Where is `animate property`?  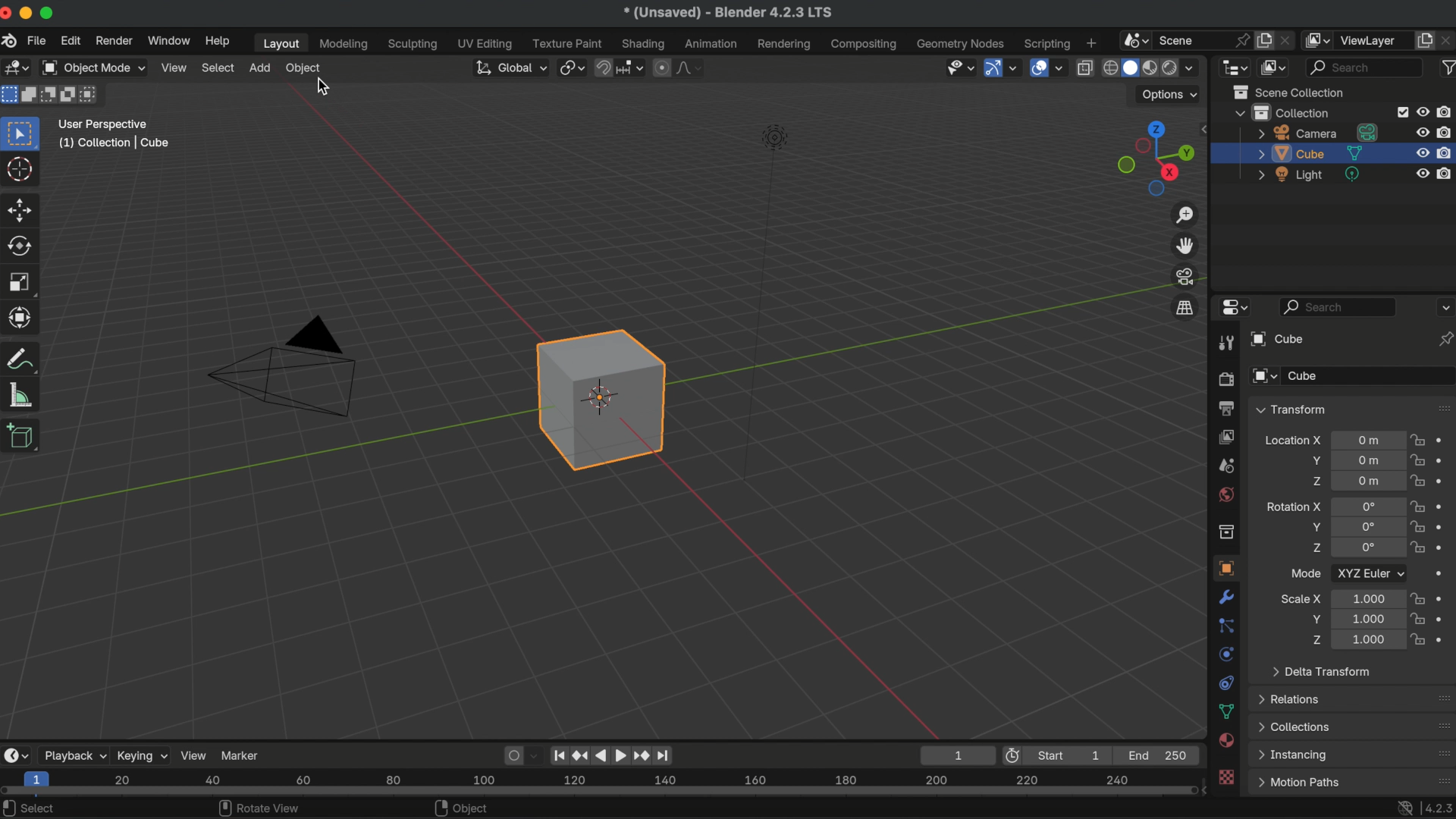 animate property is located at coordinates (1444, 526).